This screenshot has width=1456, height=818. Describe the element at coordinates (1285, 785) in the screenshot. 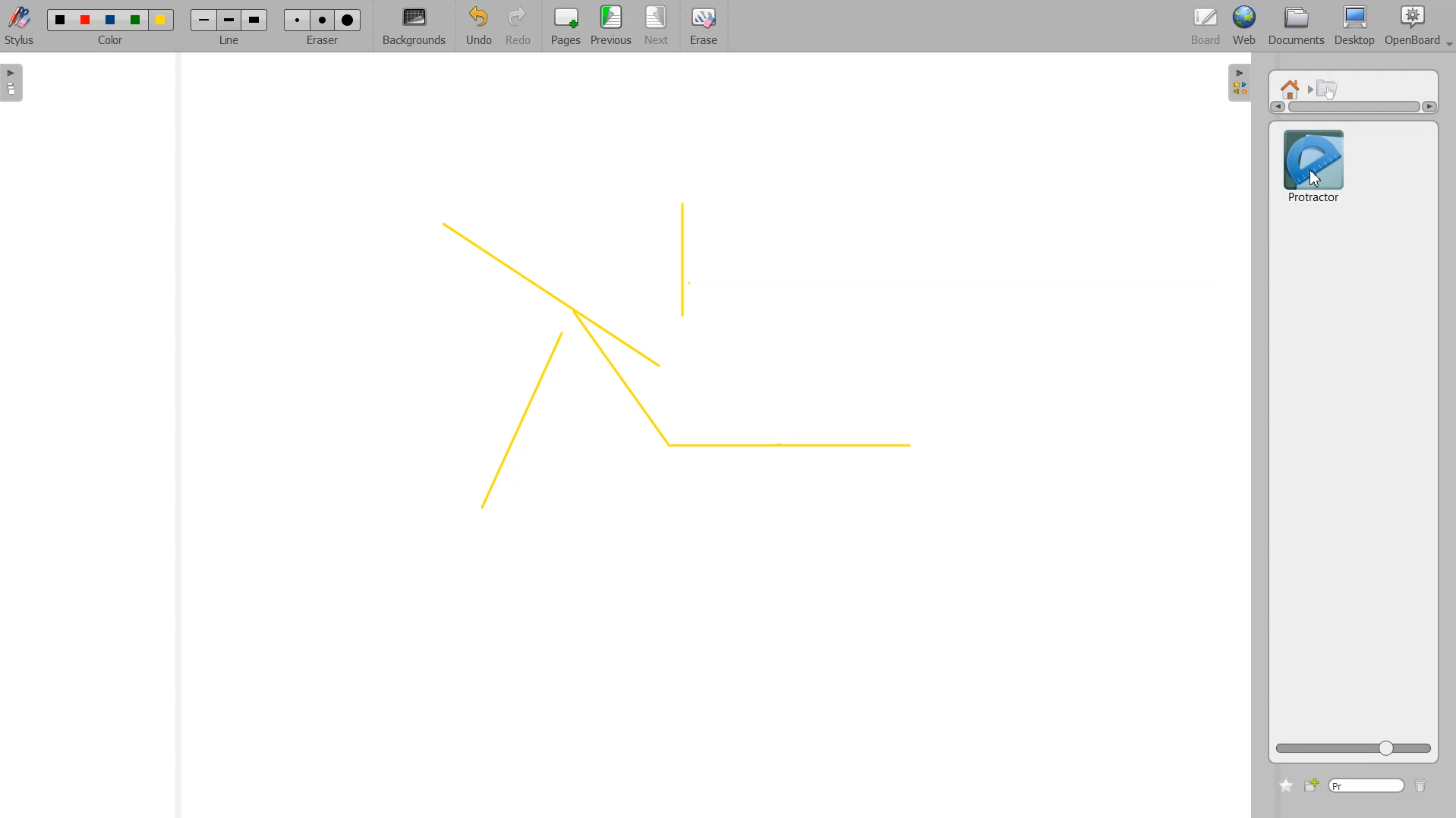

I see `Add to favorite` at that location.